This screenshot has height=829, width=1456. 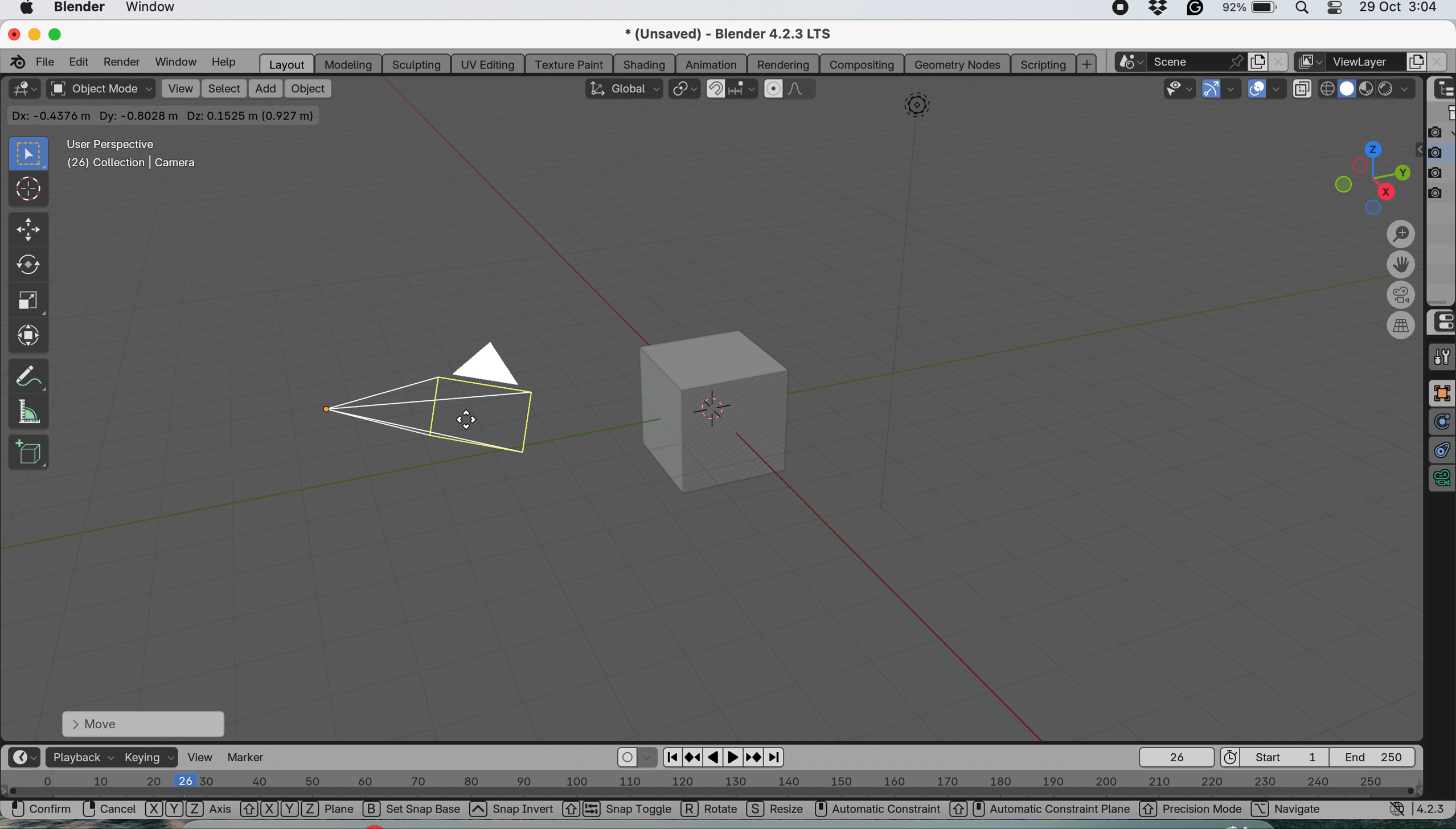 I want to click on play, so click(x=735, y=757).